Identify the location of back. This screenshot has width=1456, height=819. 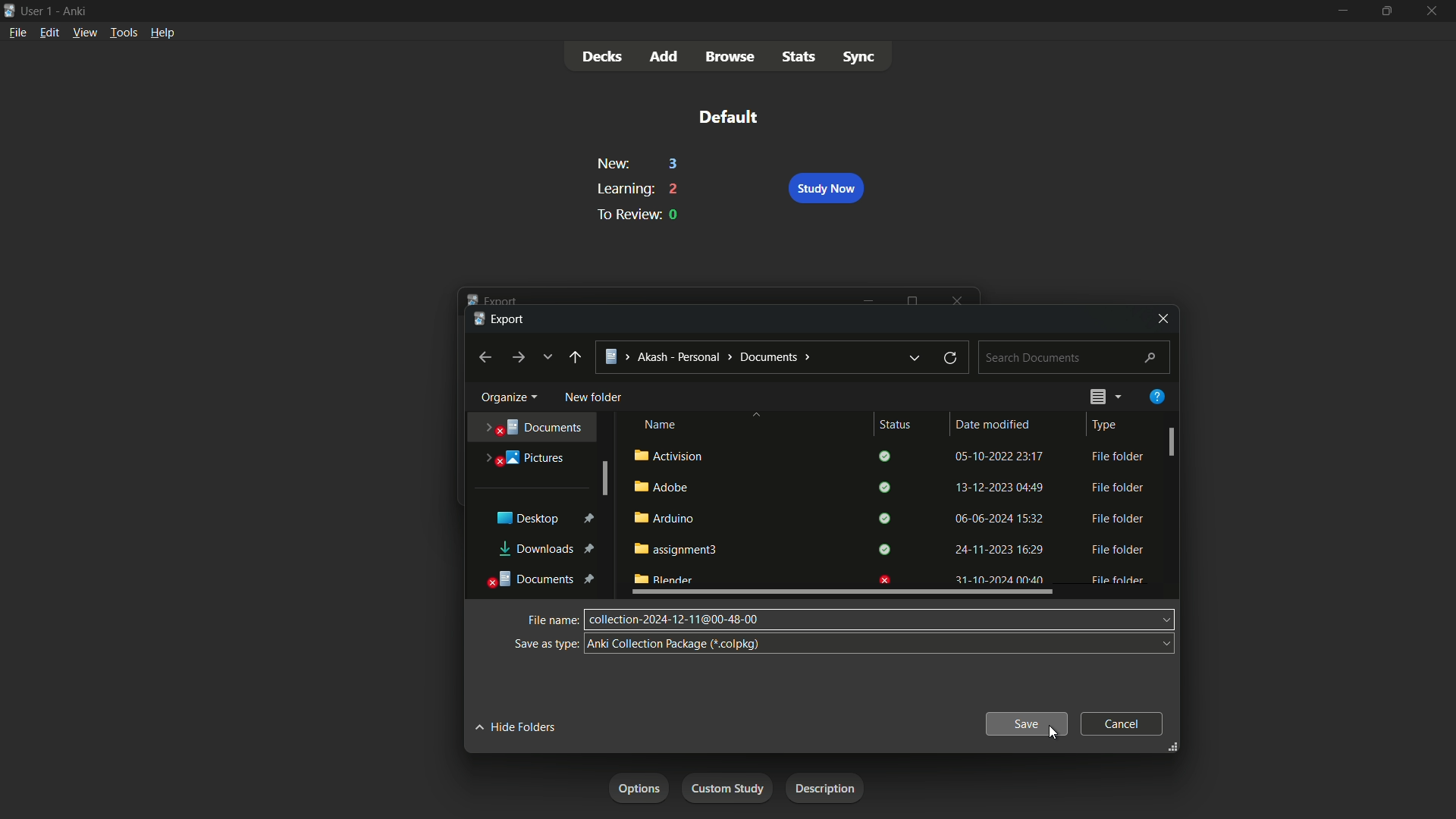
(575, 357).